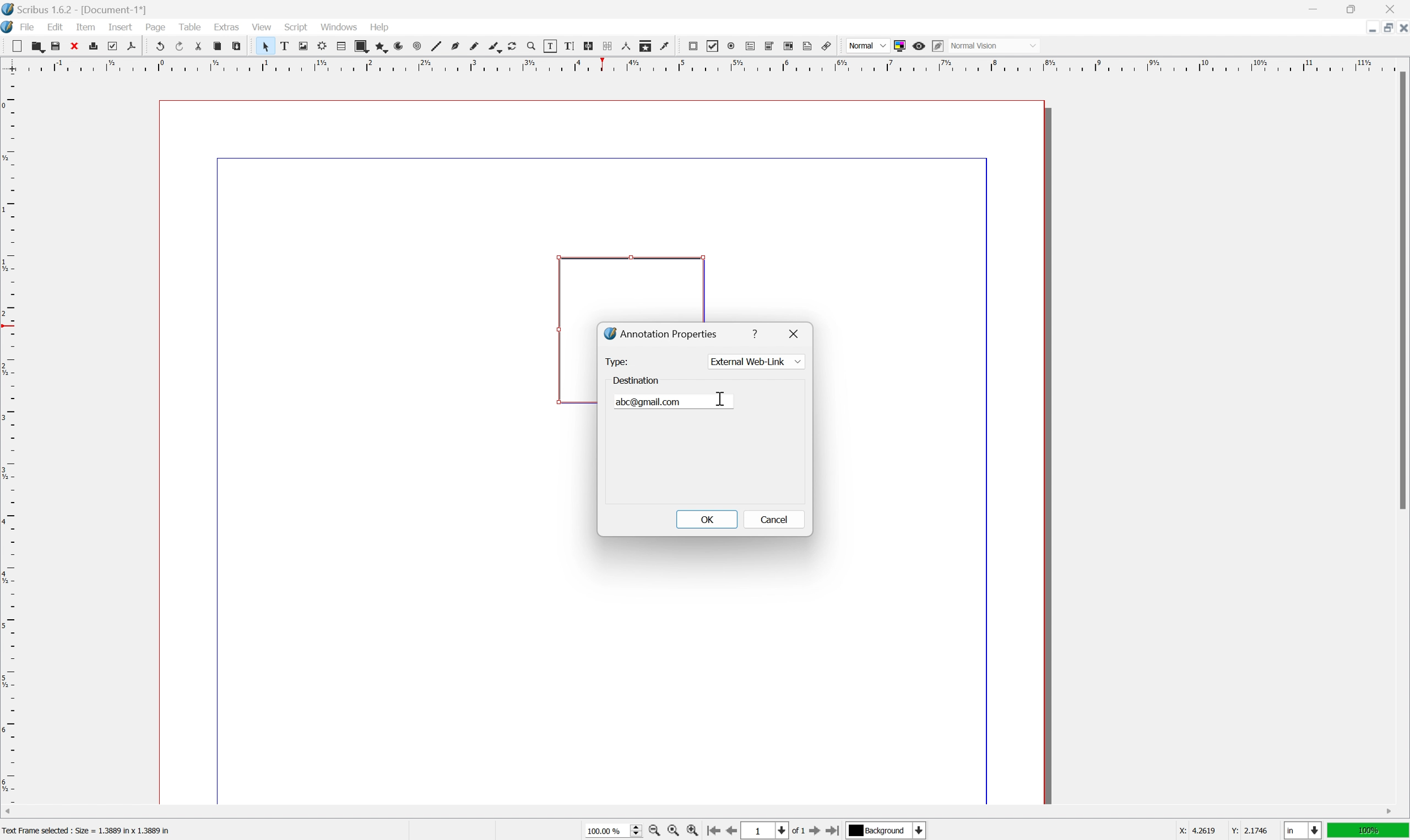 This screenshot has width=1410, height=840. I want to click on select current unit, so click(1302, 830).